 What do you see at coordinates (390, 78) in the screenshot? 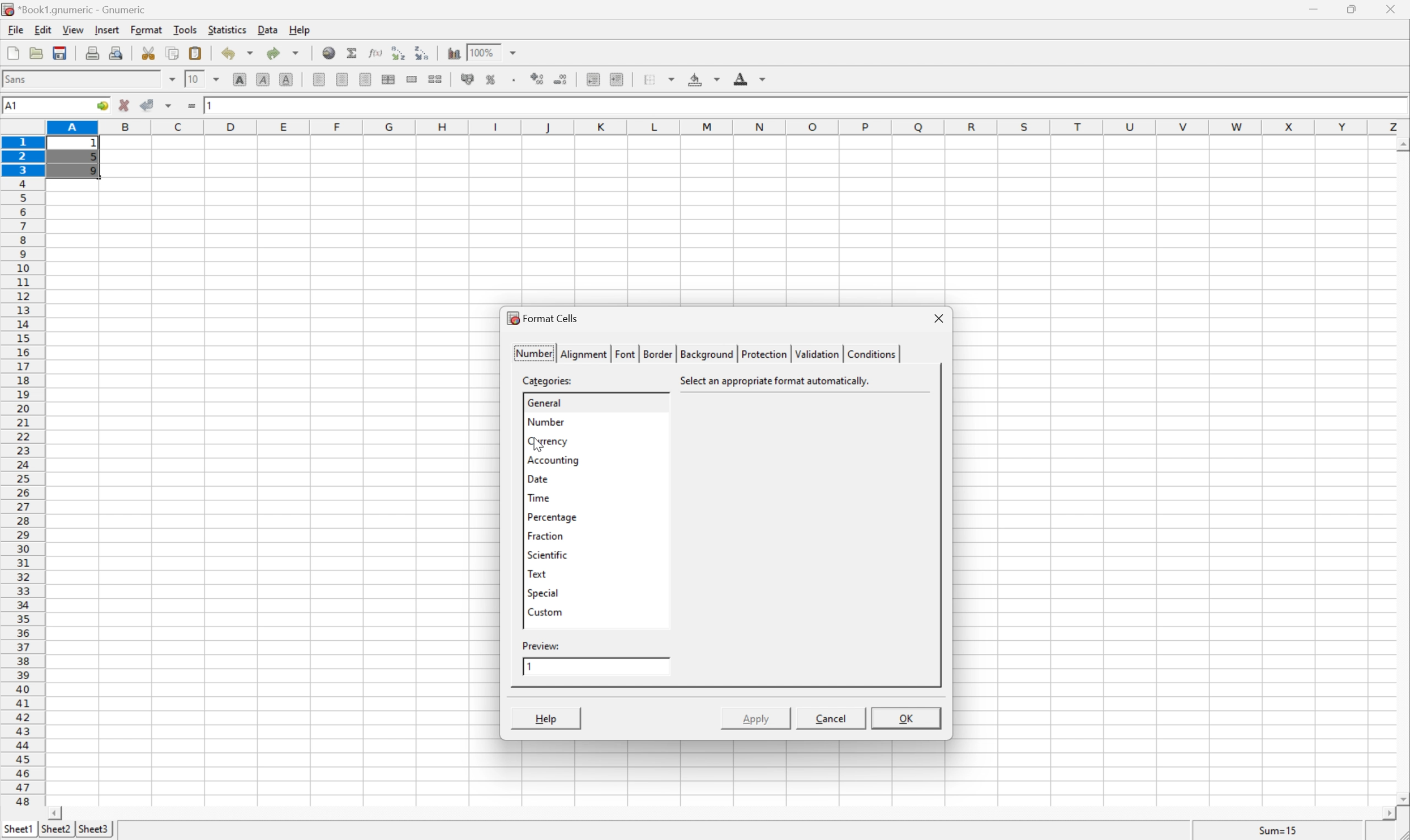
I see `center horizontally` at bounding box center [390, 78].